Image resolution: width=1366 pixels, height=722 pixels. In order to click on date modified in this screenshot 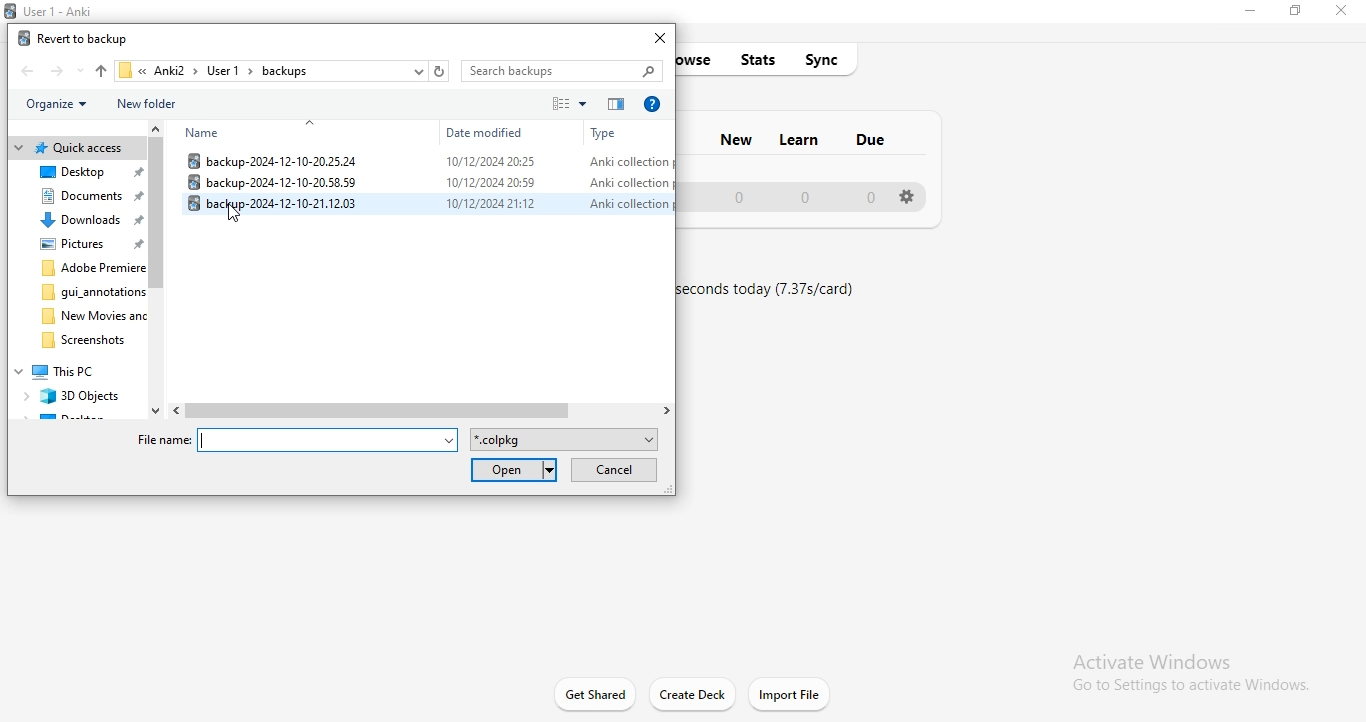, I will do `click(488, 134)`.